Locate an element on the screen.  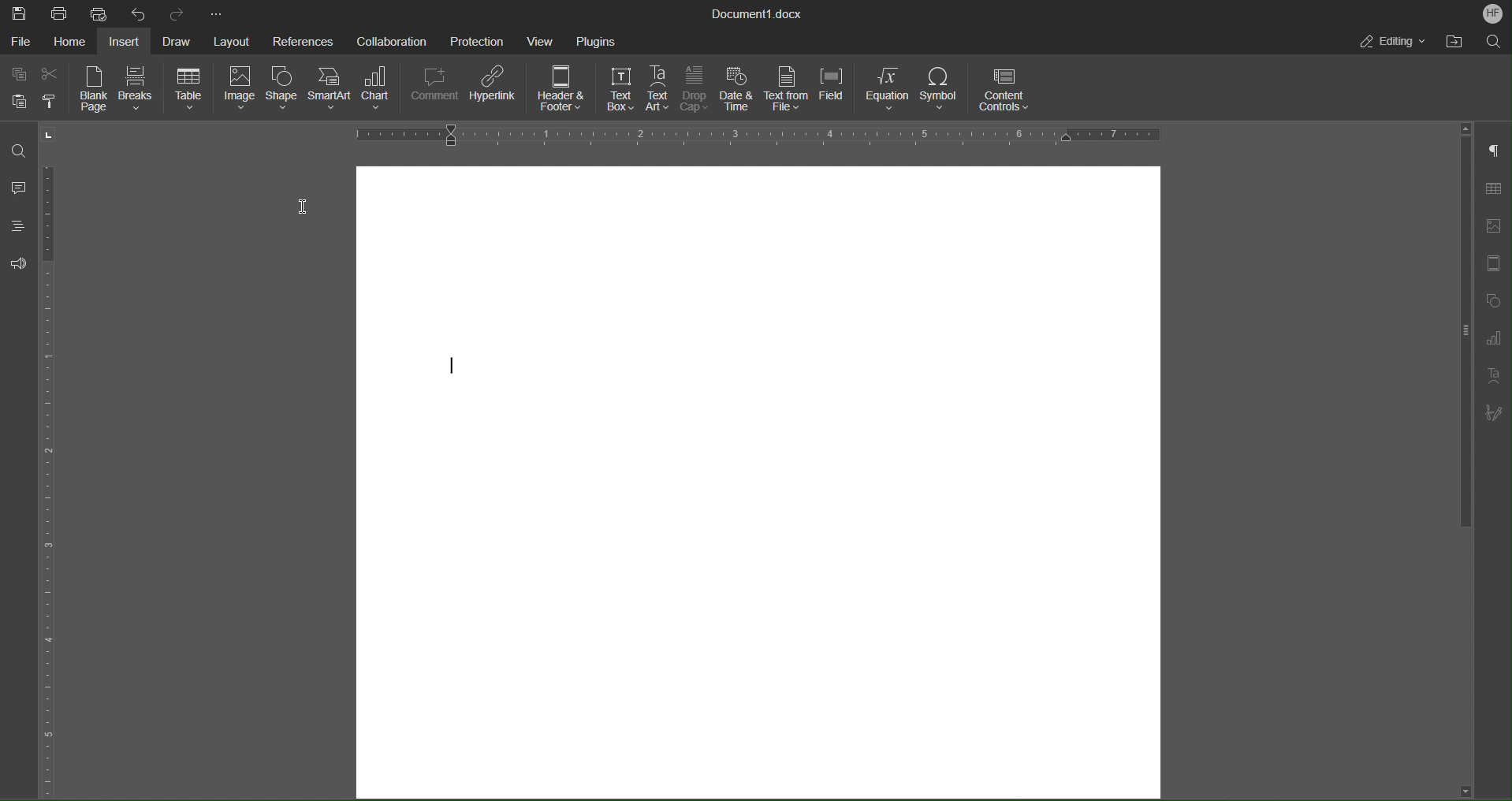
Comment is located at coordinates (434, 91).